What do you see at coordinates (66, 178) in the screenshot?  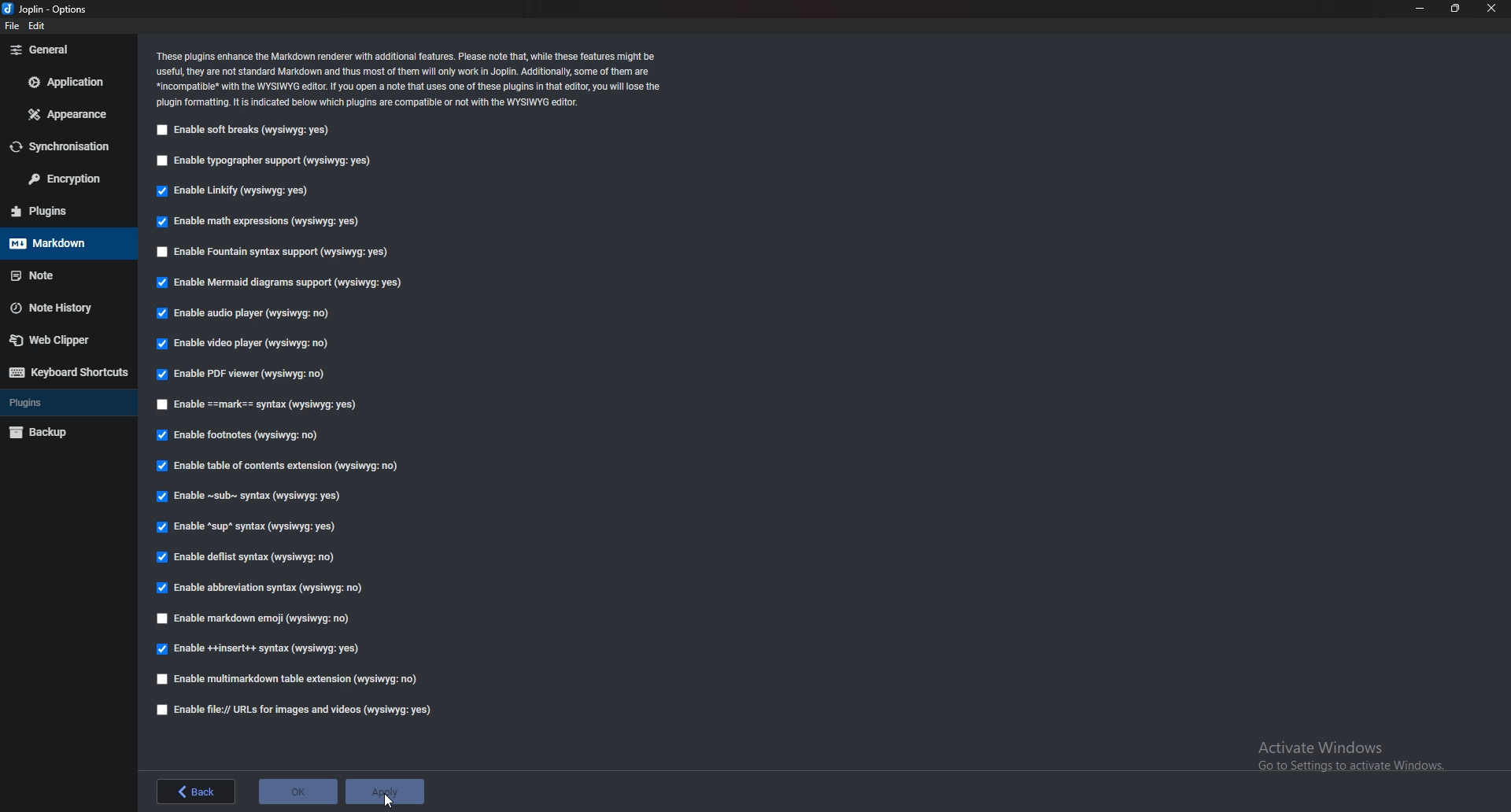 I see `encryption` at bounding box center [66, 178].